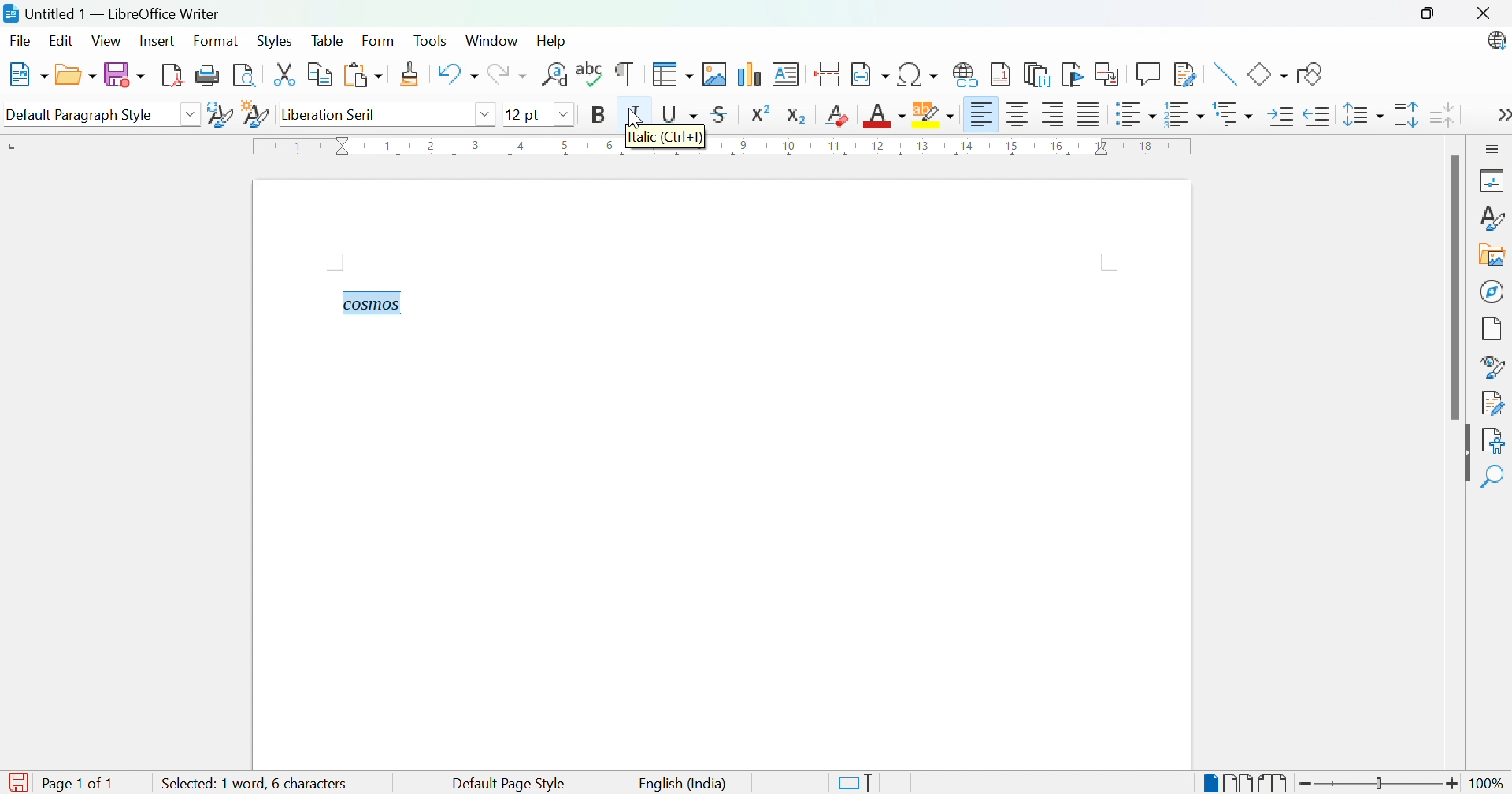  Describe the element at coordinates (1496, 442) in the screenshot. I see `Accessibility check` at that location.